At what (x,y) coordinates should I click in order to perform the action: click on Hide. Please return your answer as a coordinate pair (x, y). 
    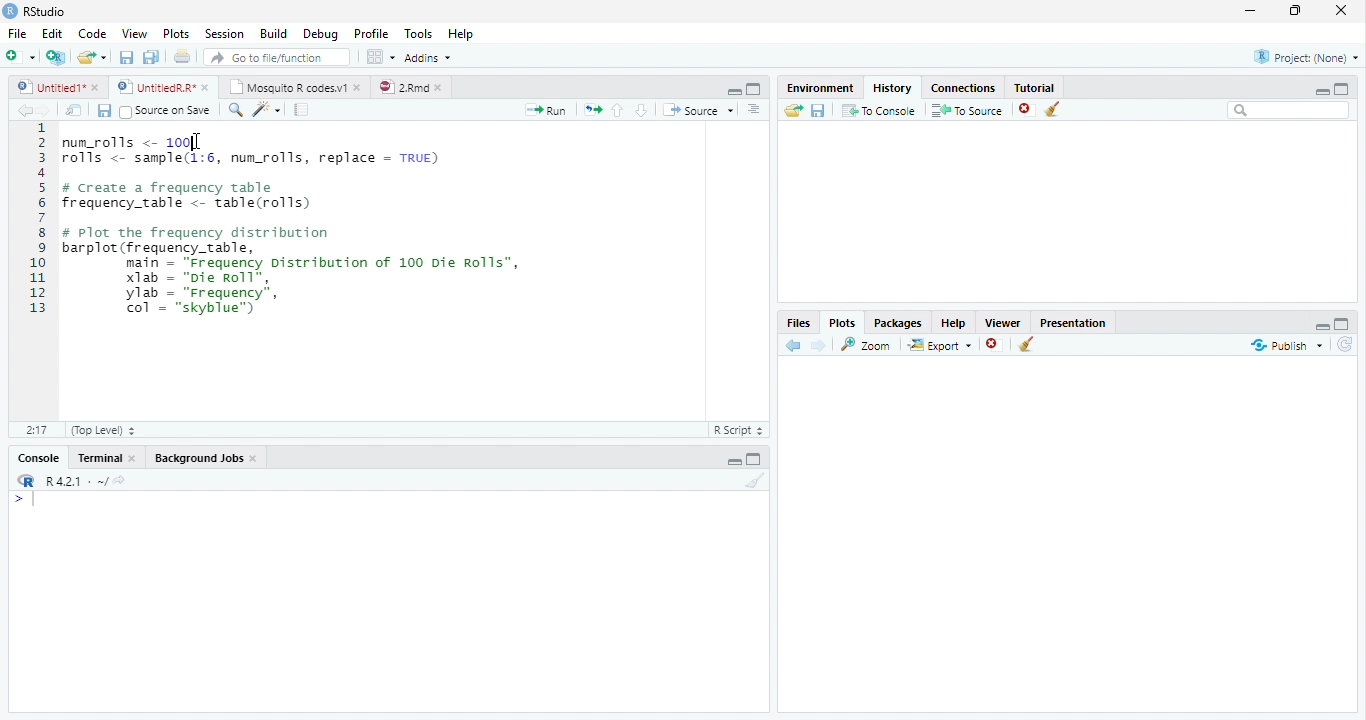
    Looking at the image, I should click on (731, 461).